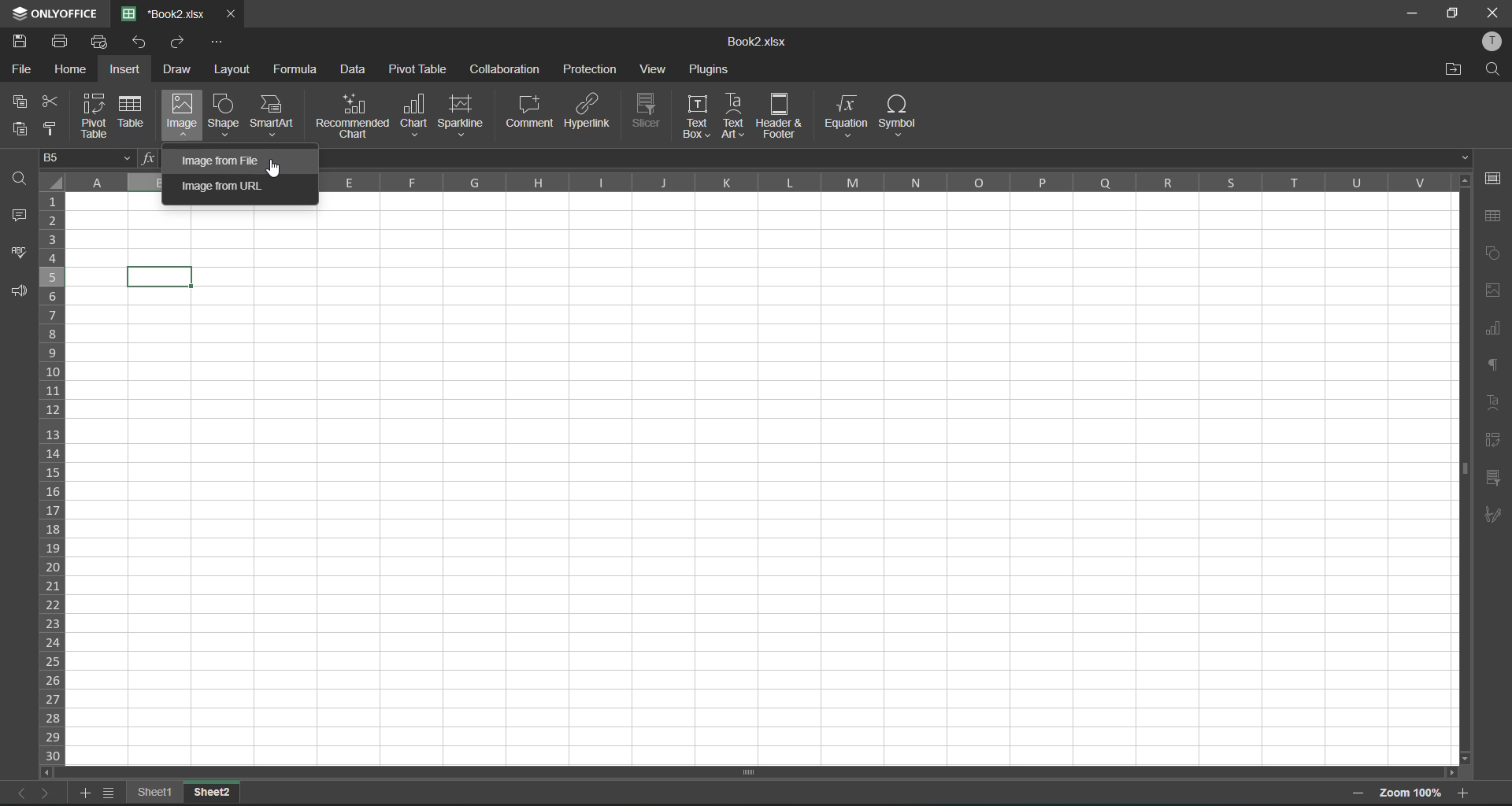 This screenshot has height=806, width=1512. Describe the element at coordinates (1493, 40) in the screenshot. I see `profile` at that location.